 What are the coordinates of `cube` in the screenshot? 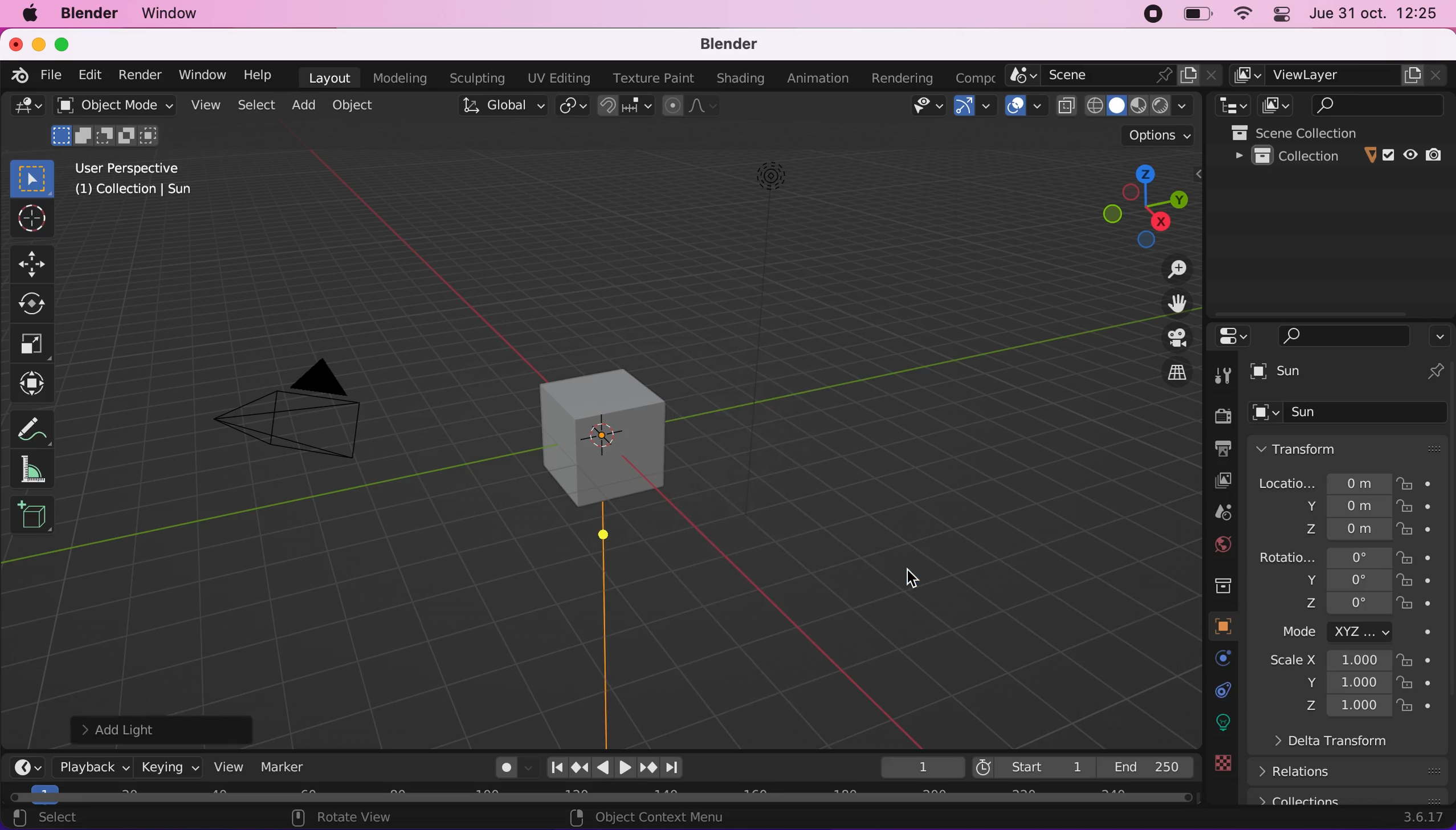 It's located at (1351, 414).